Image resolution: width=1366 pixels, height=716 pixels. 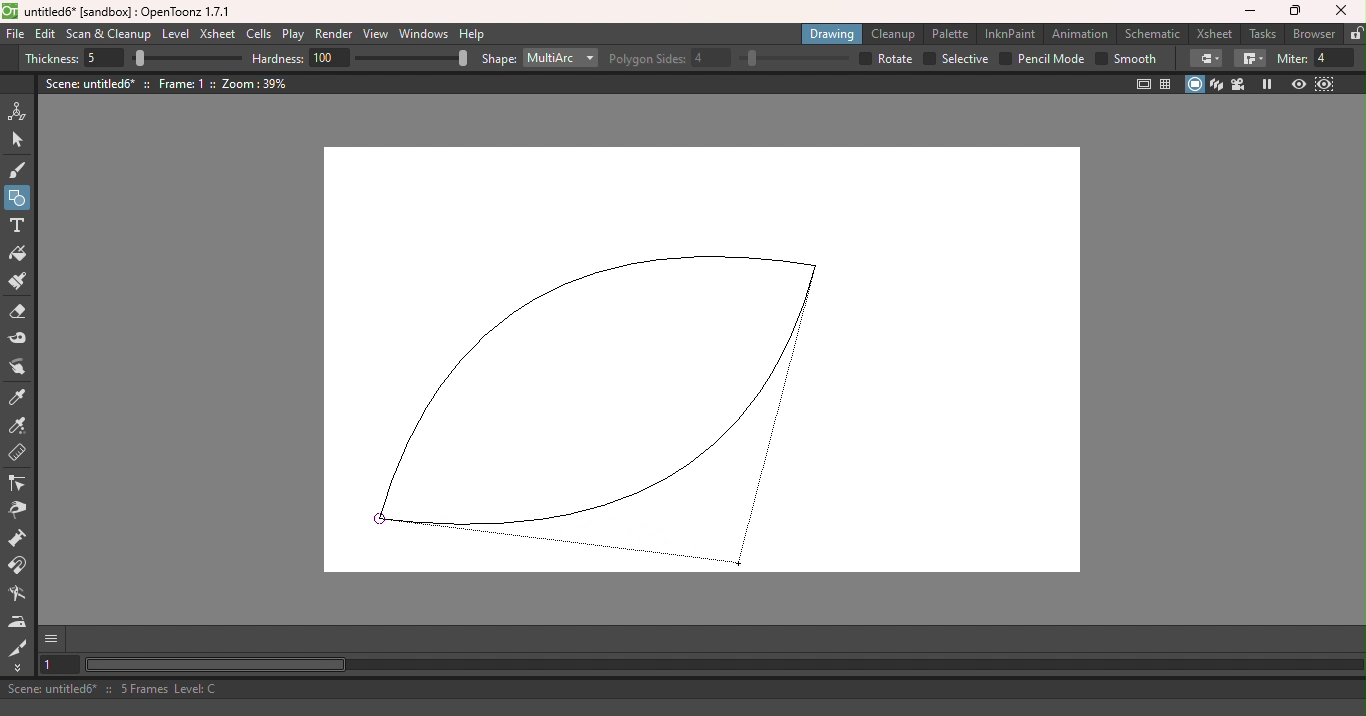 I want to click on Animate tool, so click(x=20, y=112).